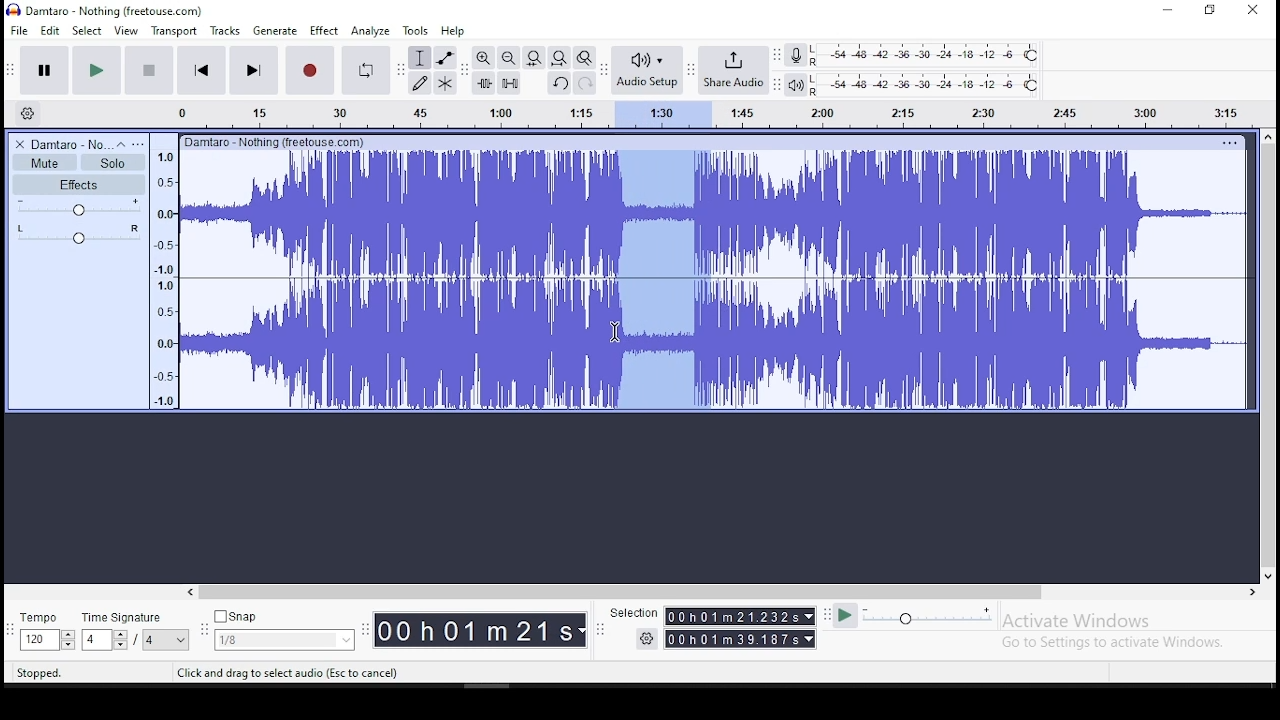  Describe the element at coordinates (648, 638) in the screenshot. I see `Settings` at that location.